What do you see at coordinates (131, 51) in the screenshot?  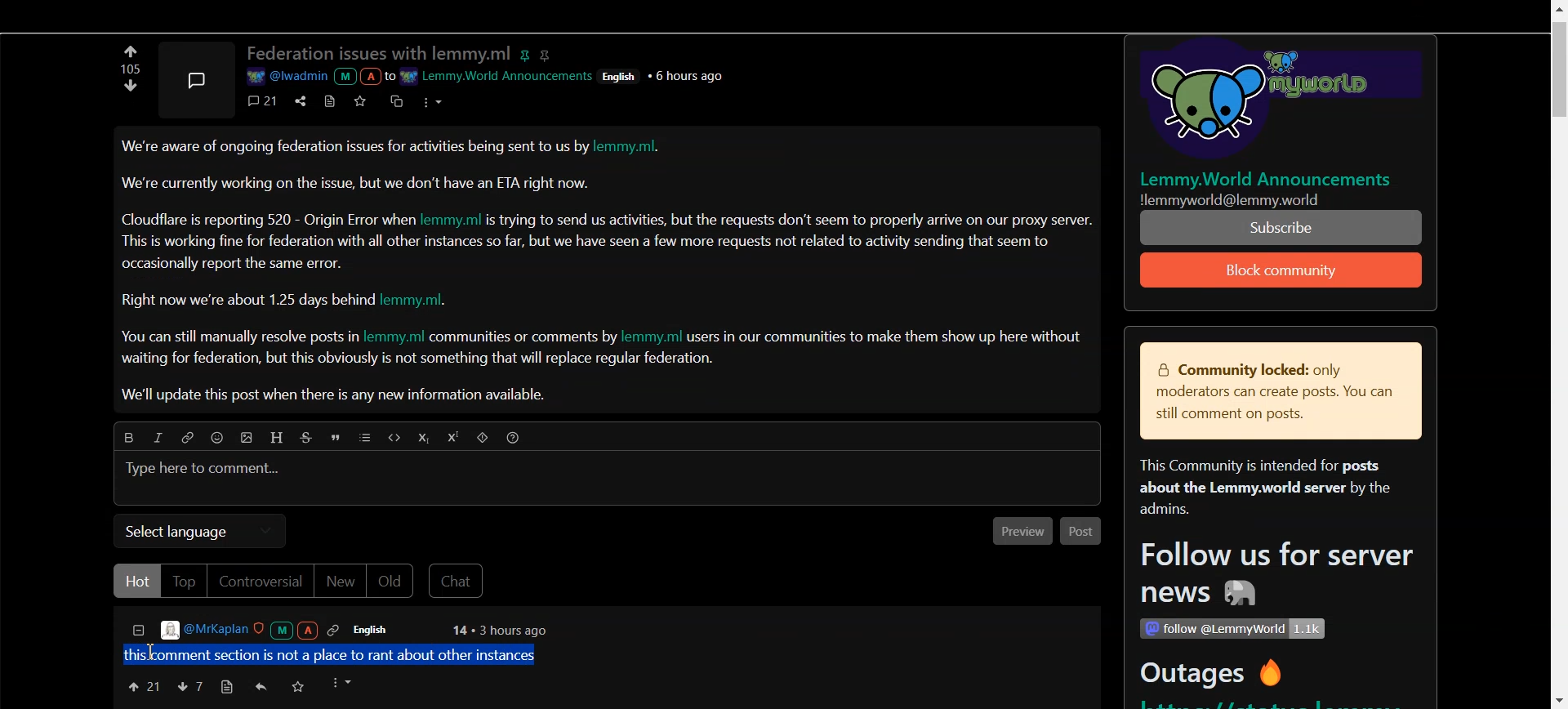 I see `Down vote` at bounding box center [131, 51].